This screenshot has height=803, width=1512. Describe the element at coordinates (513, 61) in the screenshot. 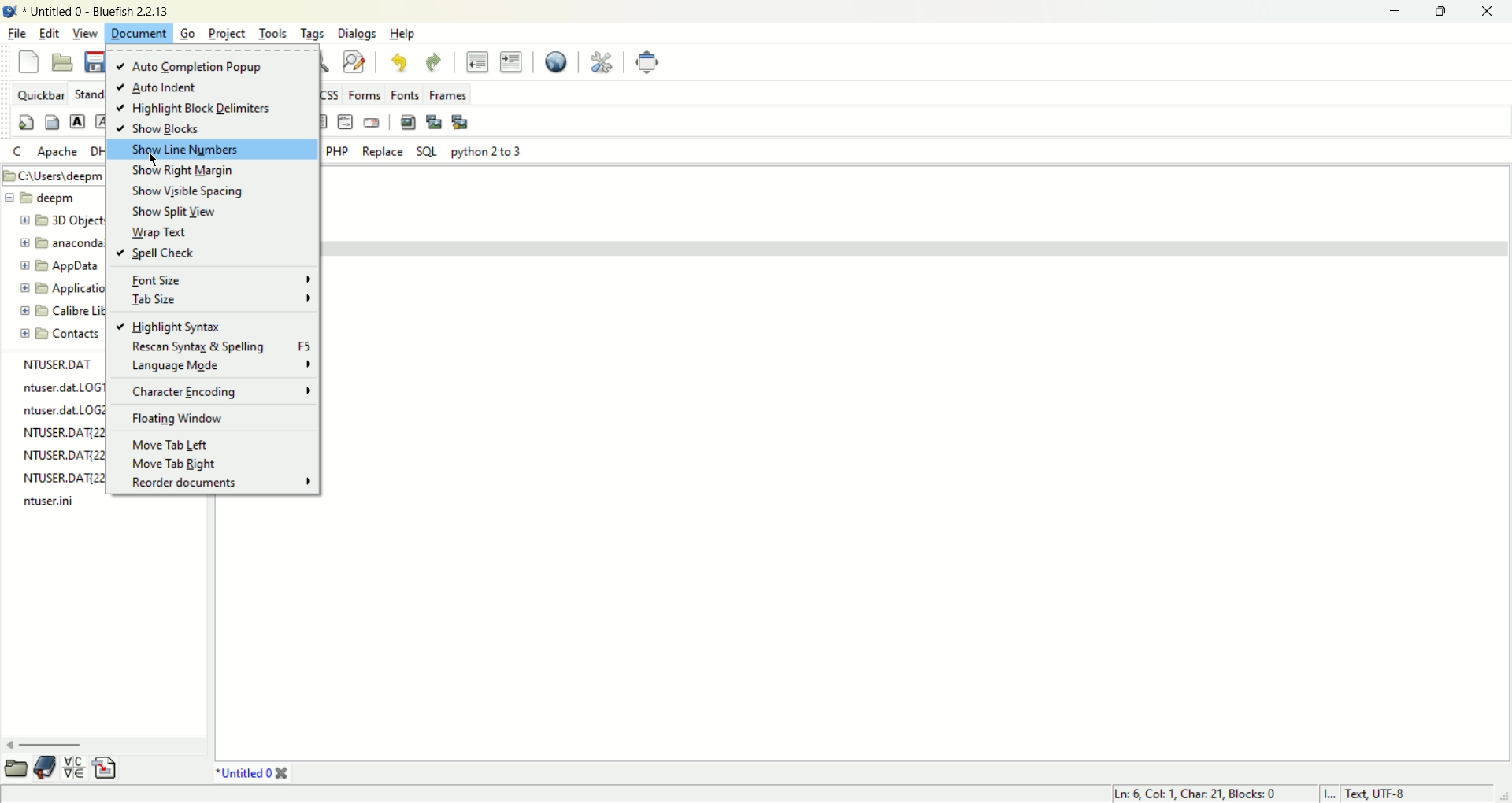

I see `indent` at that location.